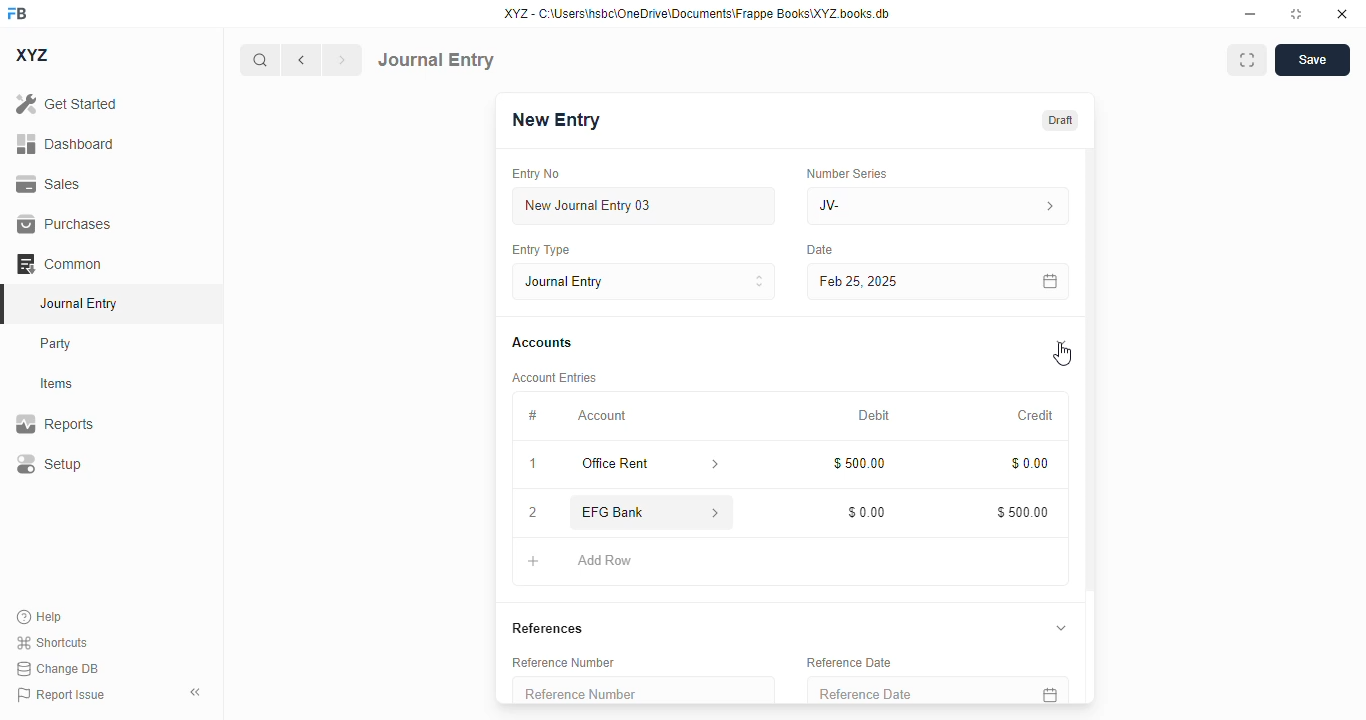 The width and height of the screenshot is (1366, 720). I want to click on XYZ, so click(33, 55).